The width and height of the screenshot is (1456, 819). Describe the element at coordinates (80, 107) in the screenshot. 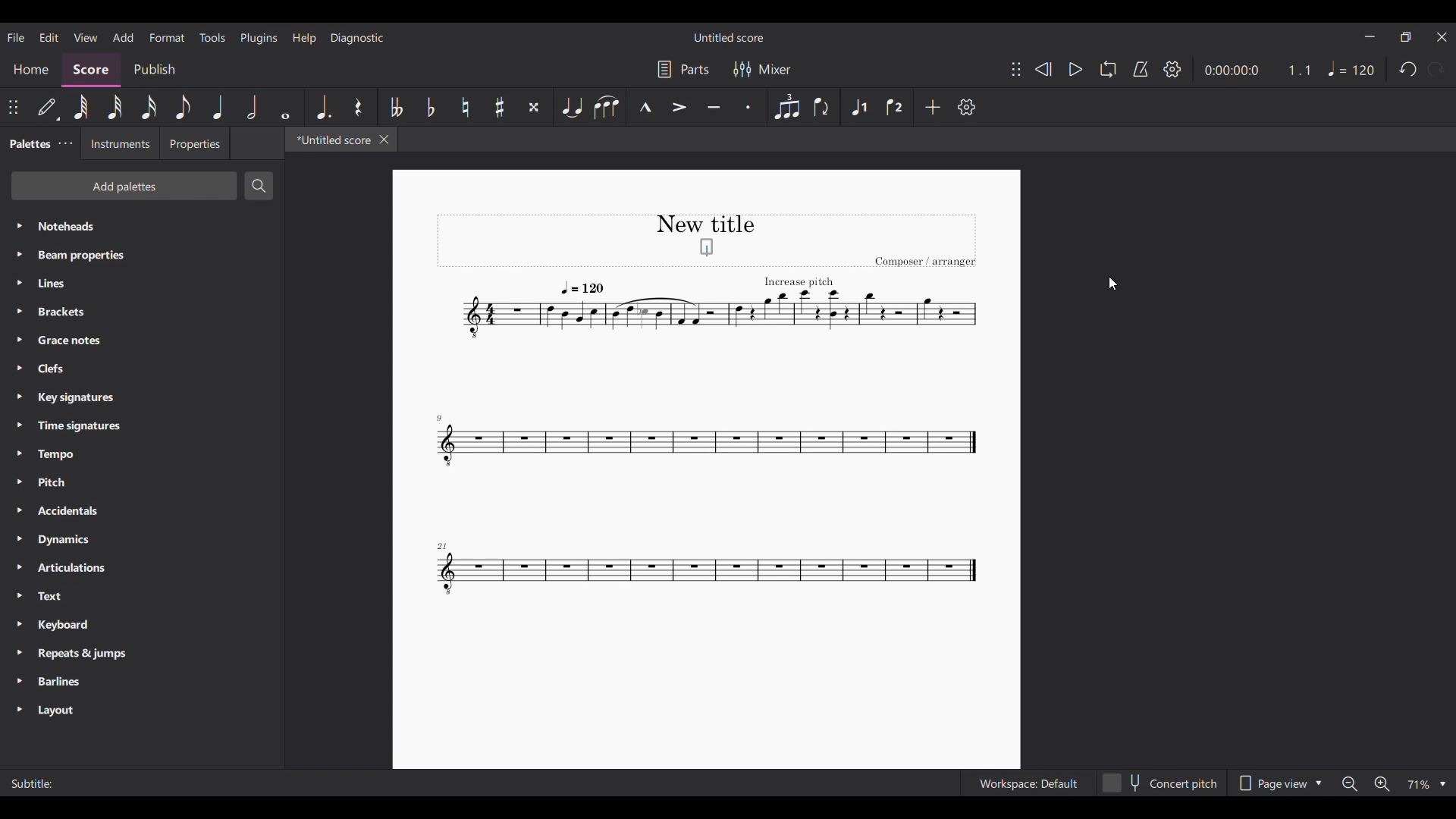

I see `64th note` at that location.